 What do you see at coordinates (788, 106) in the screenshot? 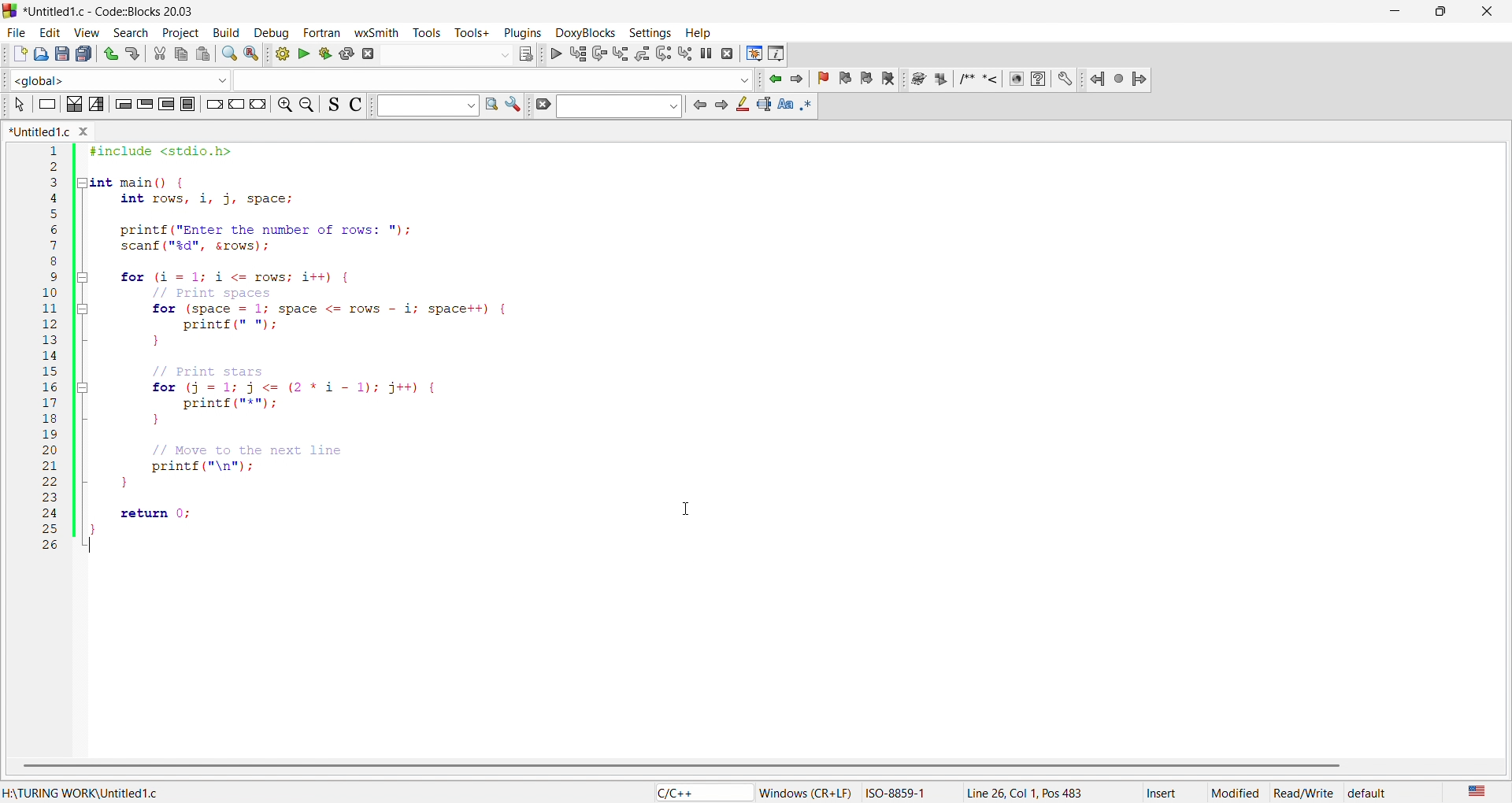
I see `icon` at bounding box center [788, 106].